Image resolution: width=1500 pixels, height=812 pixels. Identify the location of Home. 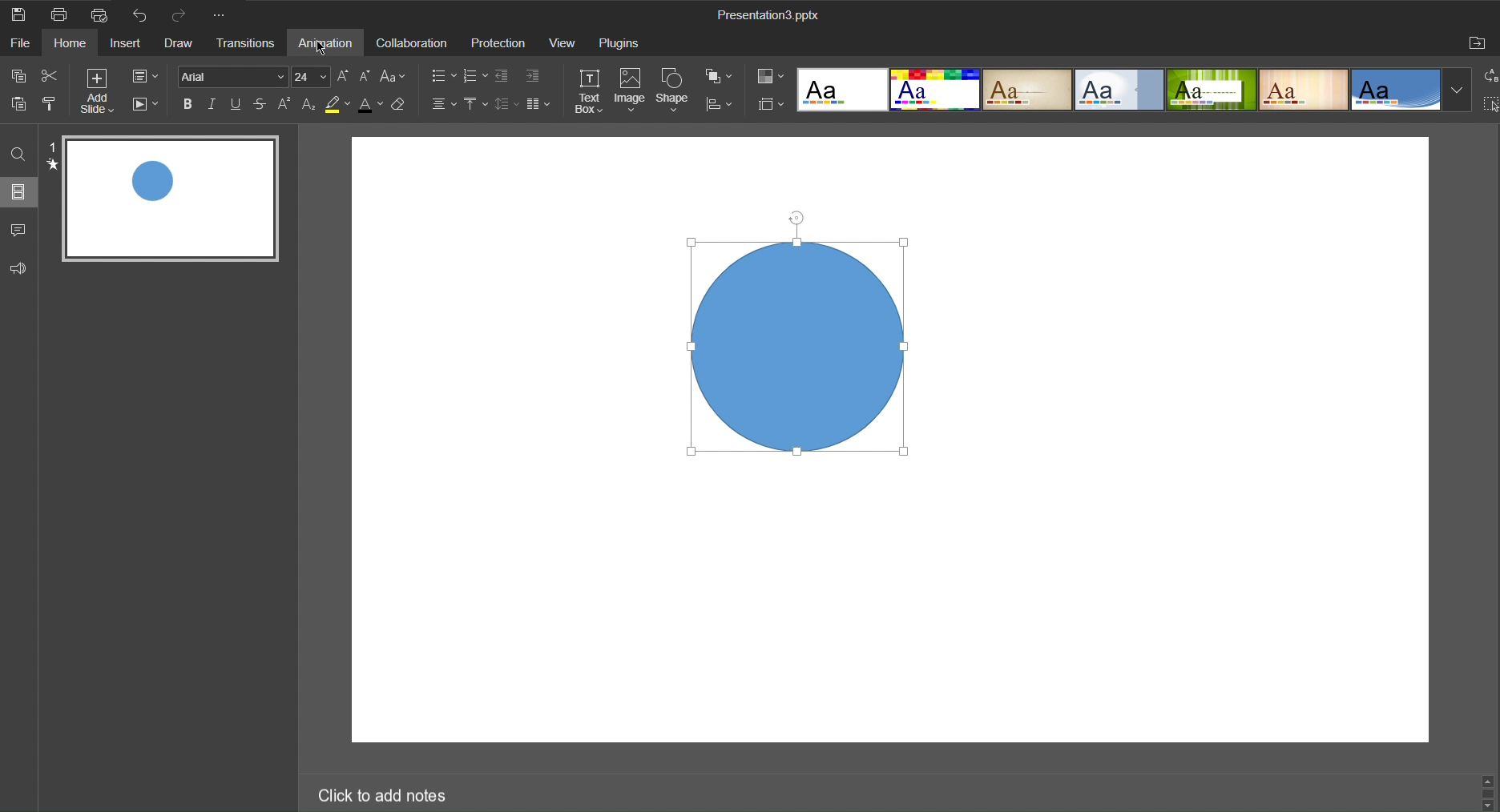
(75, 44).